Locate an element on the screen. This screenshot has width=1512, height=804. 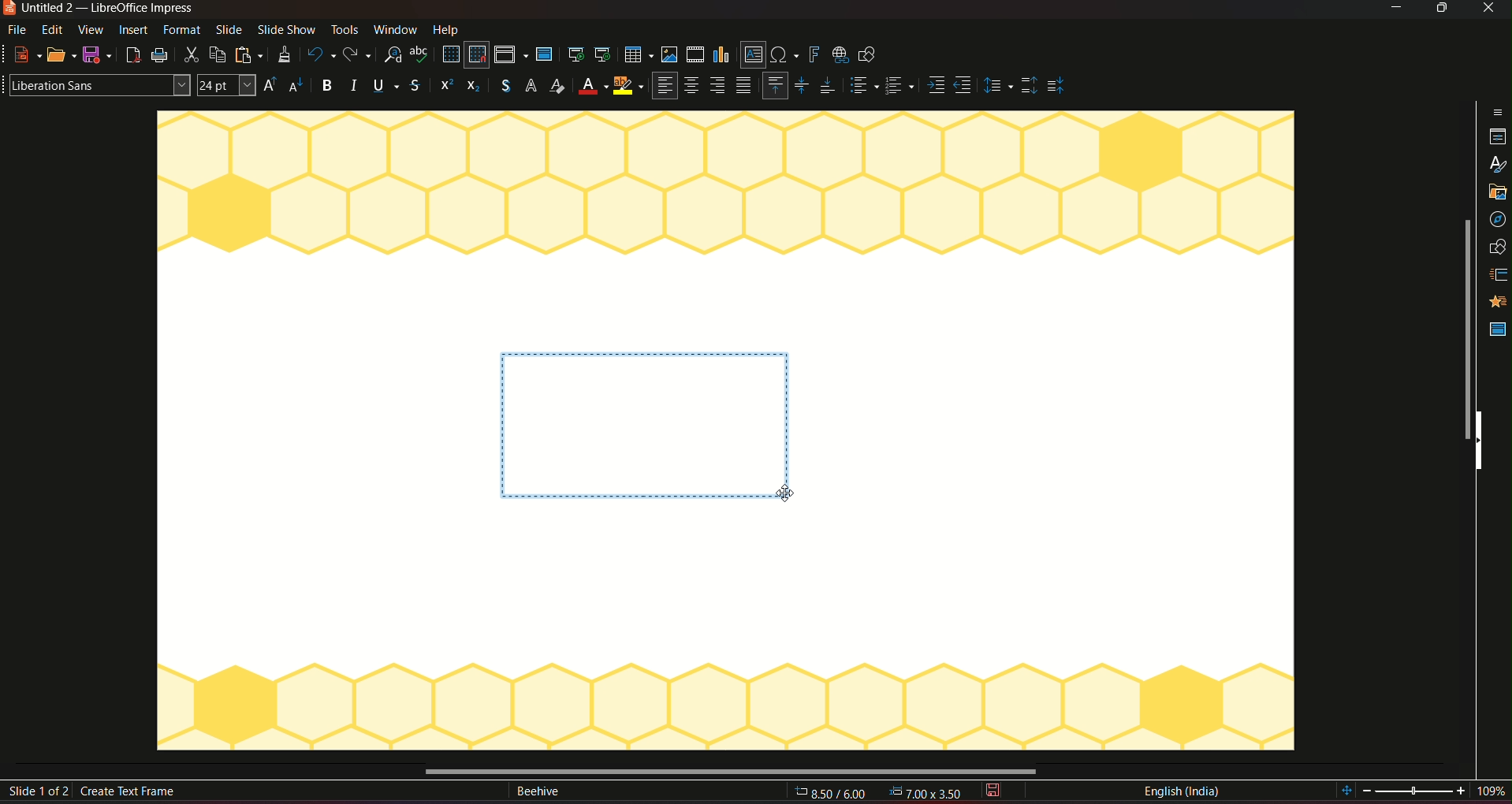
cut is located at coordinates (192, 56).